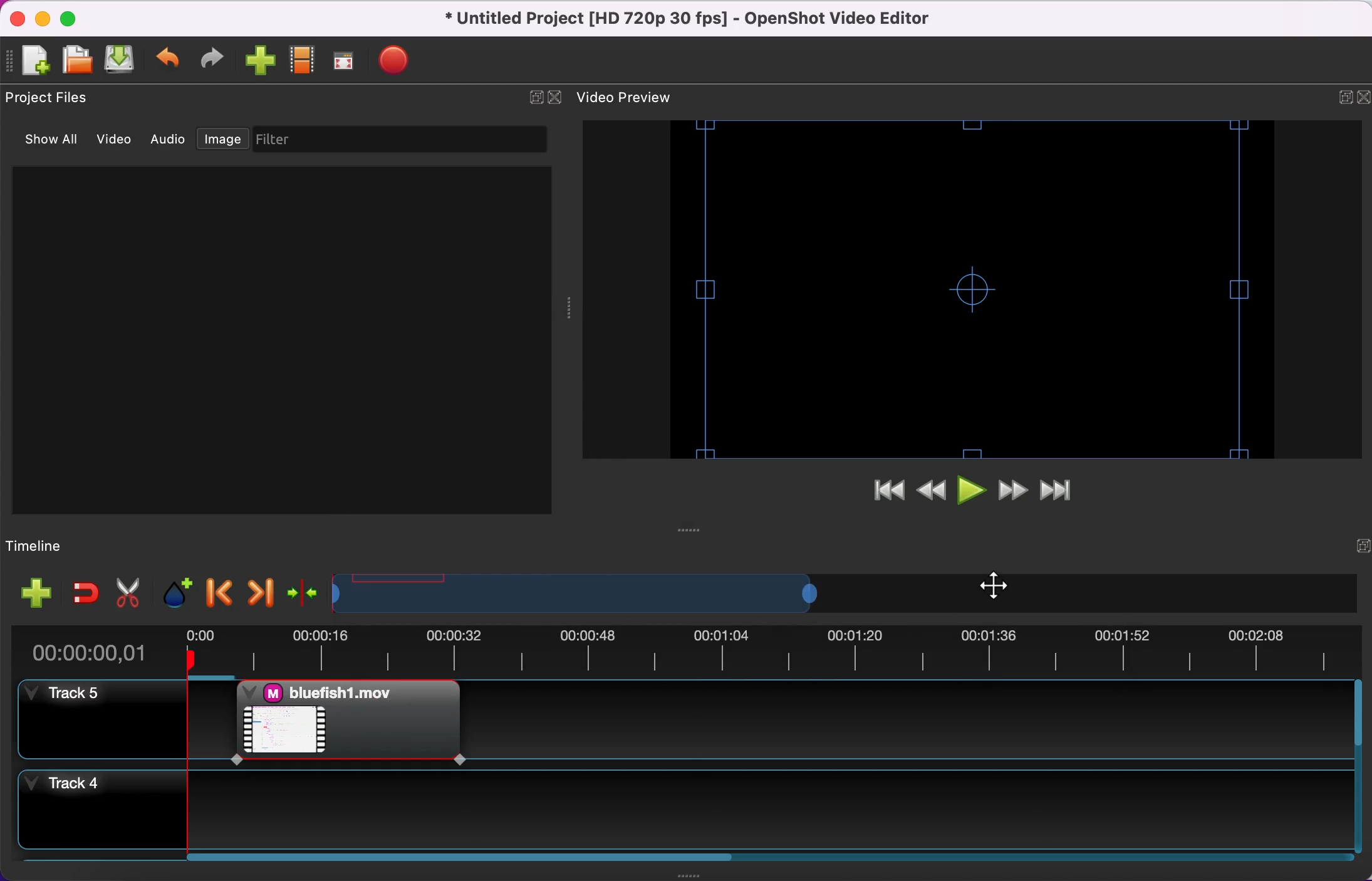 This screenshot has width=1372, height=881. What do you see at coordinates (83, 719) in the screenshot?
I see `Track 5` at bounding box center [83, 719].